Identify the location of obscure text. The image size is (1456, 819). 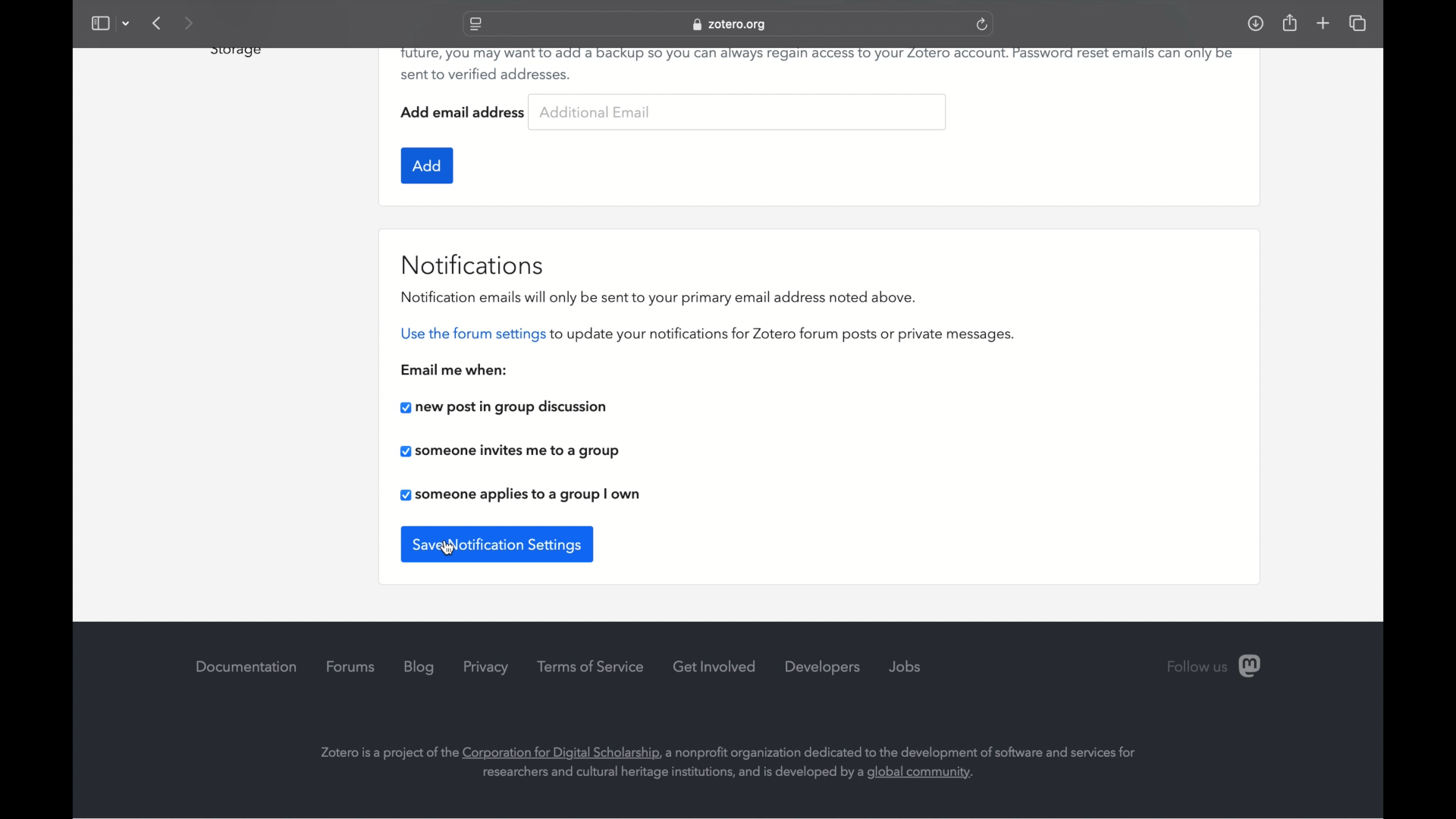
(234, 52).